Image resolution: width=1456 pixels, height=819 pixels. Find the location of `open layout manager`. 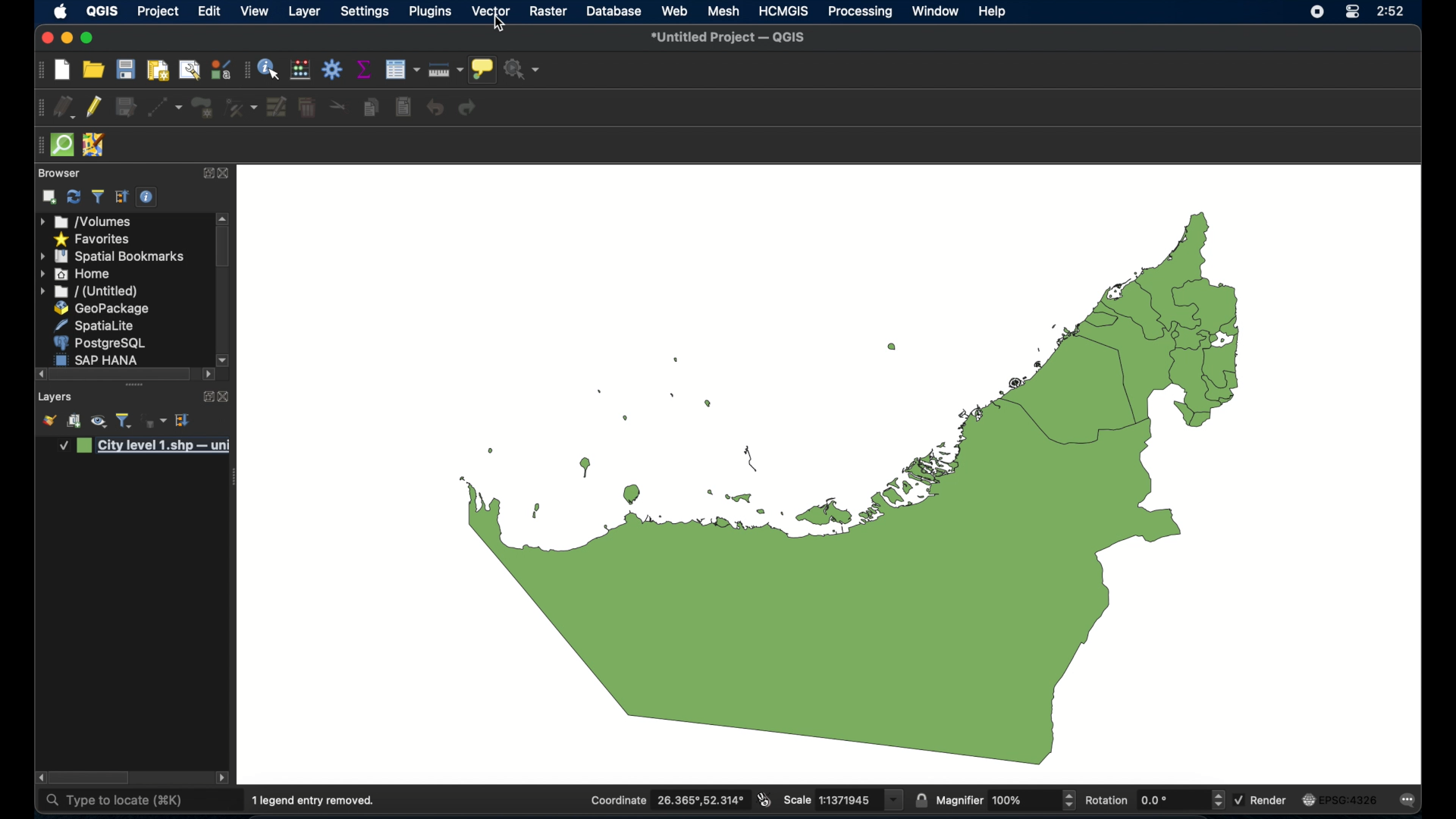

open layout manager is located at coordinates (188, 71).